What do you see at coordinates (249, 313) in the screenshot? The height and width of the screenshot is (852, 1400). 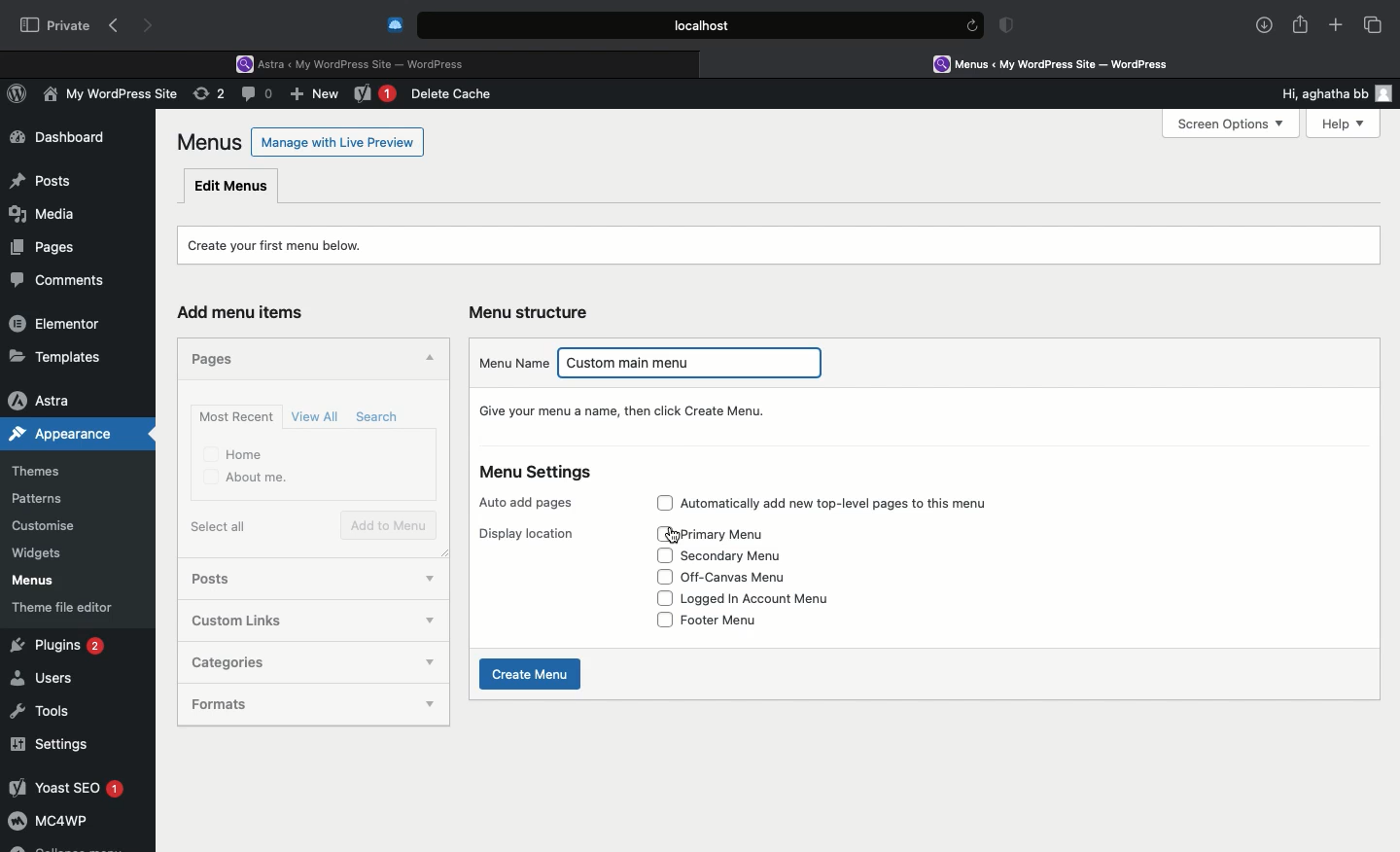 I see `Add menu items` at bounding box center [249, 313].